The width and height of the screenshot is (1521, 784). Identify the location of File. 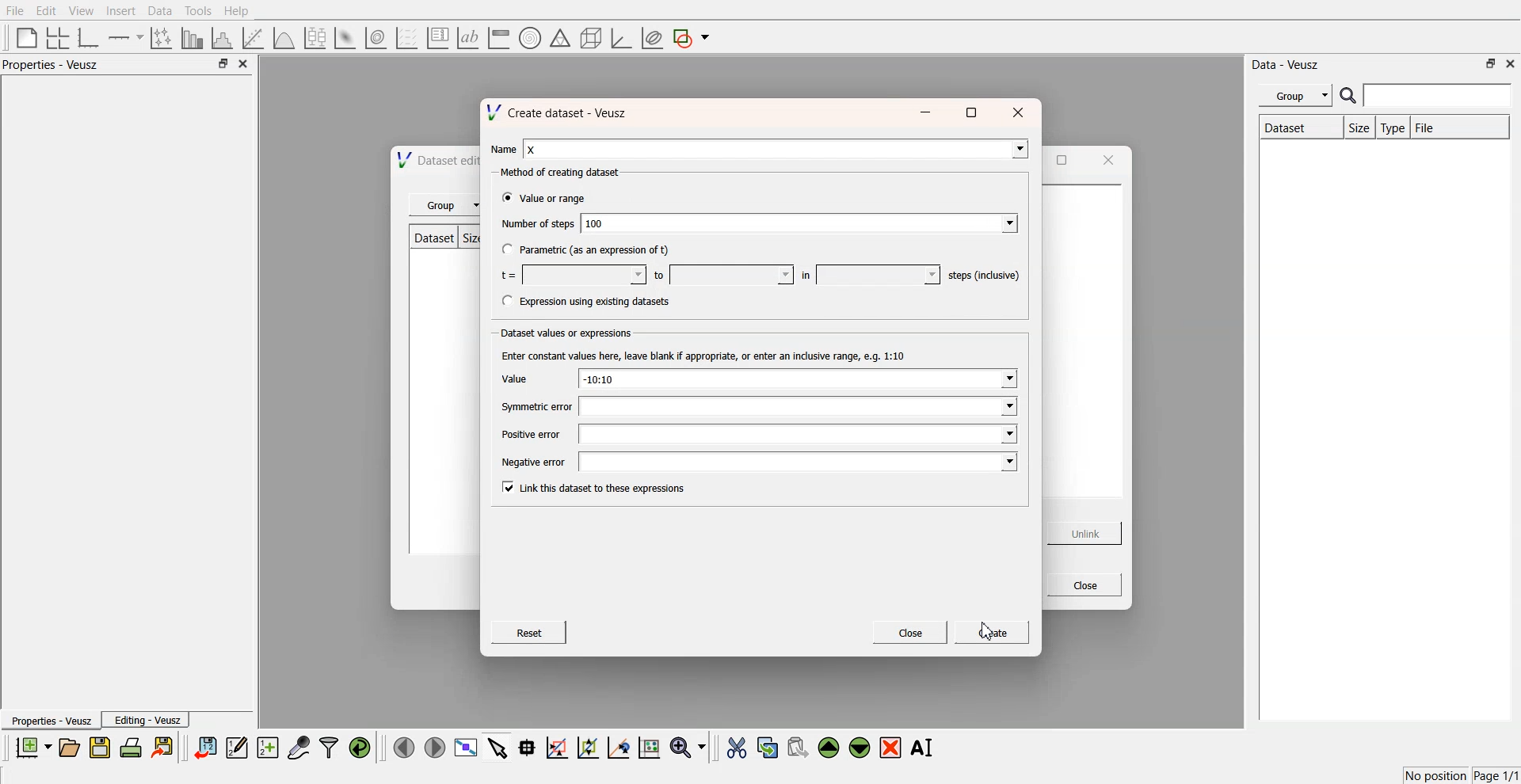
(1439, 127).